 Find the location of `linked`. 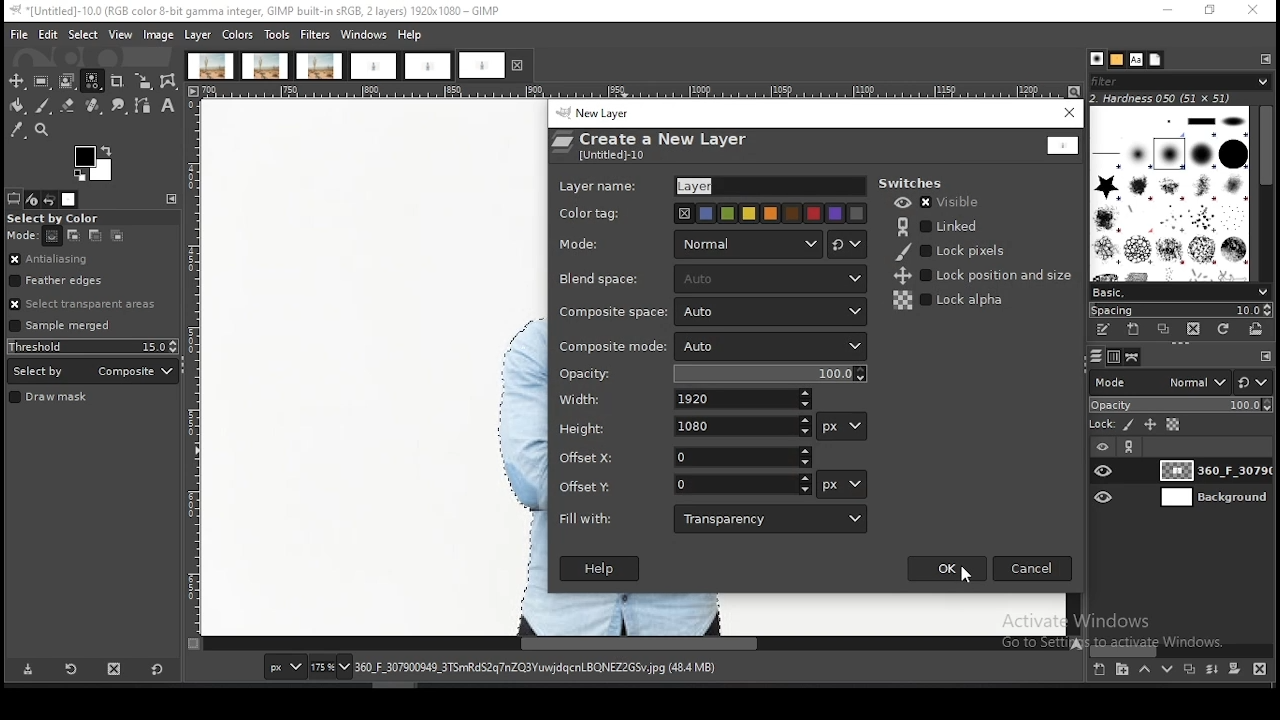

linked is located at coordinates (940, 227).